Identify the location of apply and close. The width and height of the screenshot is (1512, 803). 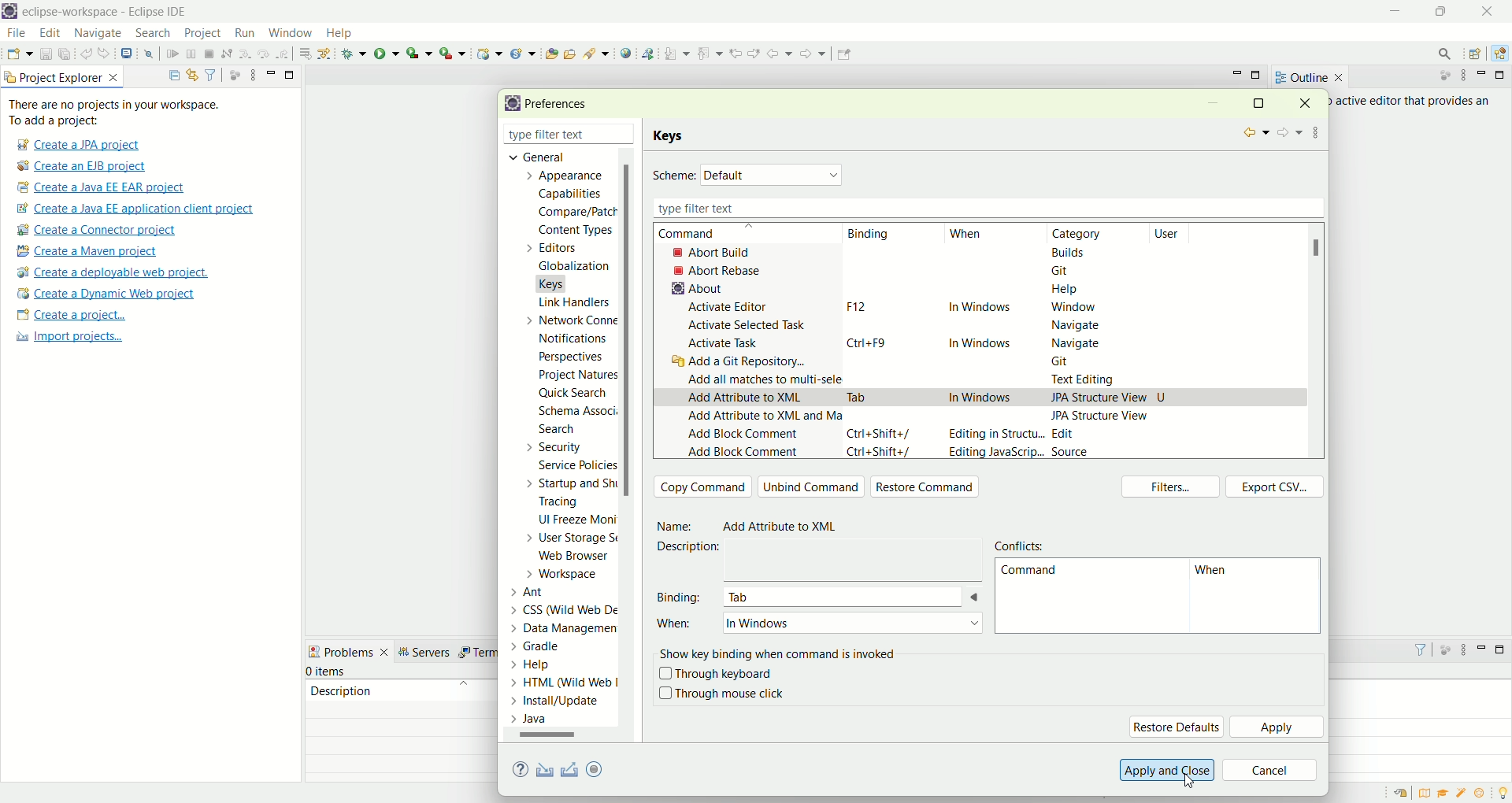
(1165, 770).